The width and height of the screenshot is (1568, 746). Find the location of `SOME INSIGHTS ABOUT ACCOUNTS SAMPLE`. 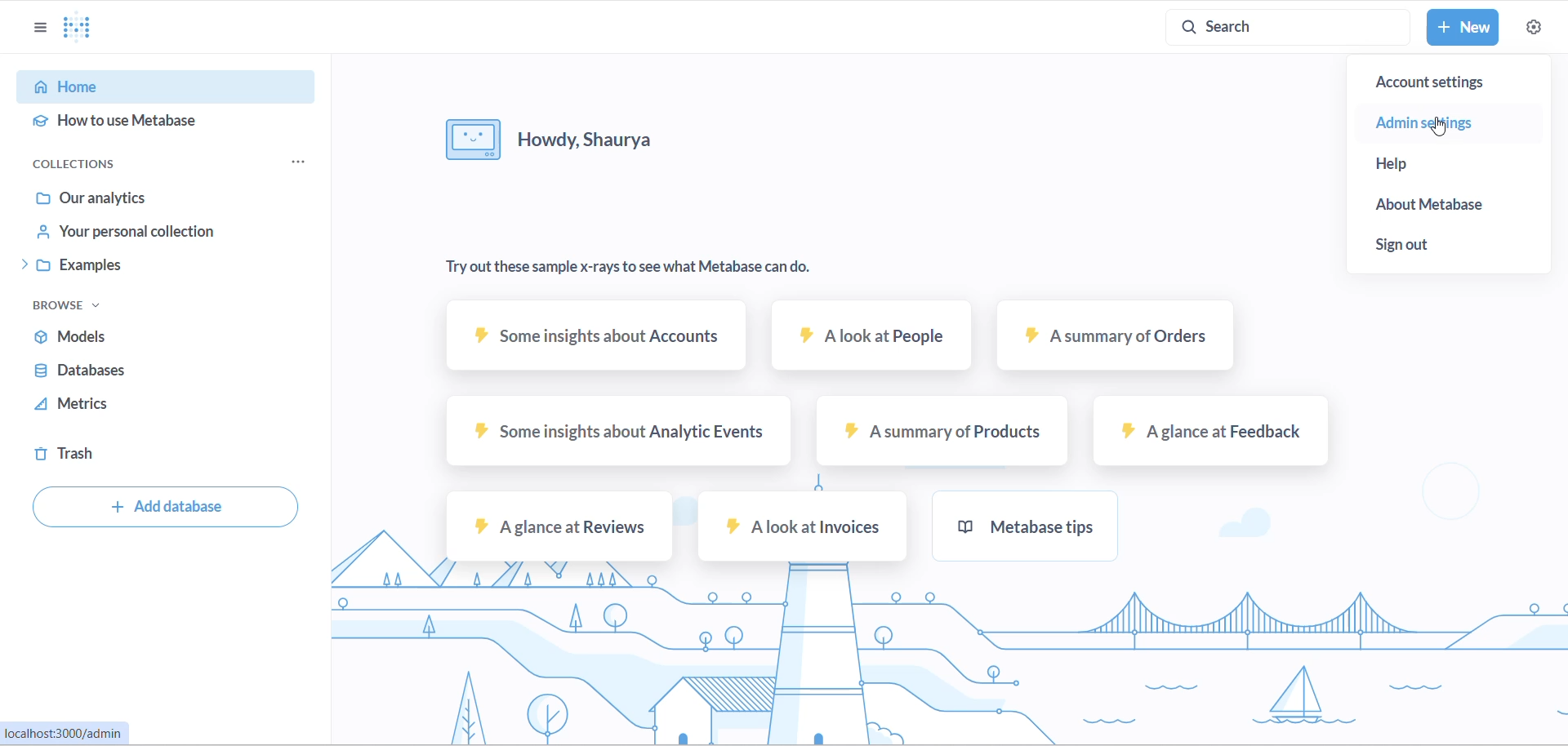

SOME INSIGHTS ABOUT ACCOUNTS SAMPLE is located at coordinates (602, 338).